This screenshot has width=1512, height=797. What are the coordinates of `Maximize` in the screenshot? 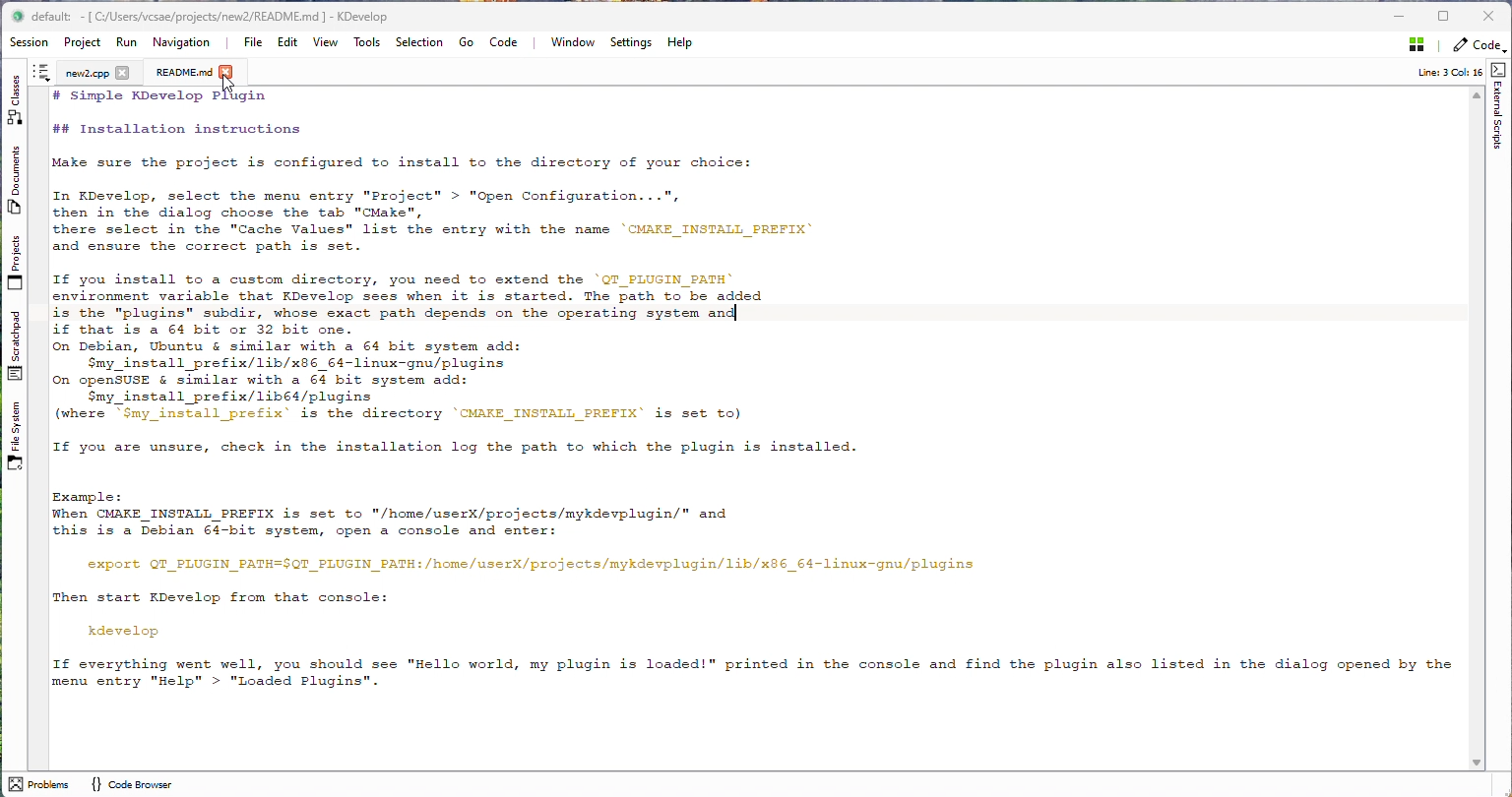 It's located at (1443, 17).